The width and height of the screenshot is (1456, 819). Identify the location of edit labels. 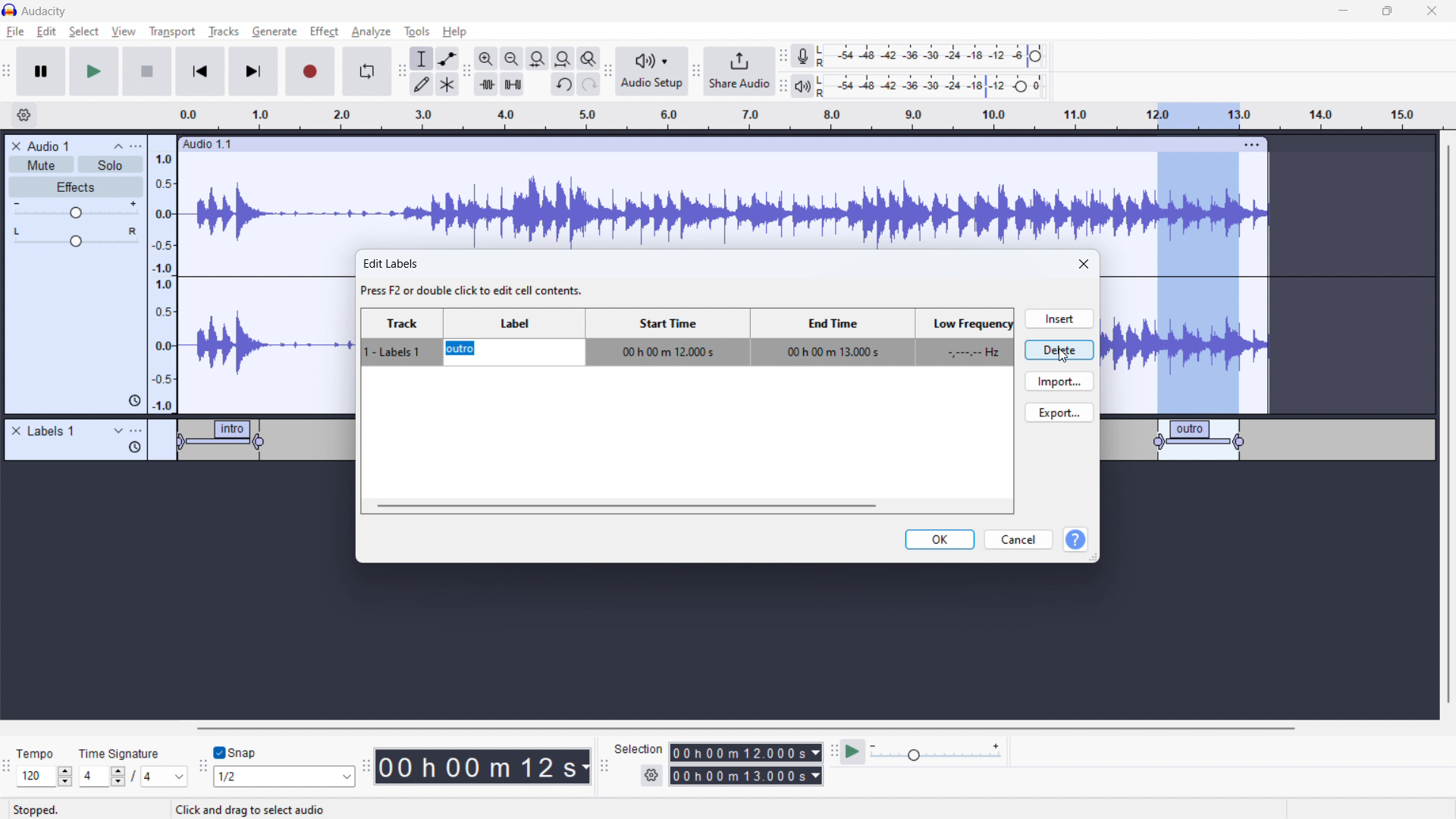
(475, 278).